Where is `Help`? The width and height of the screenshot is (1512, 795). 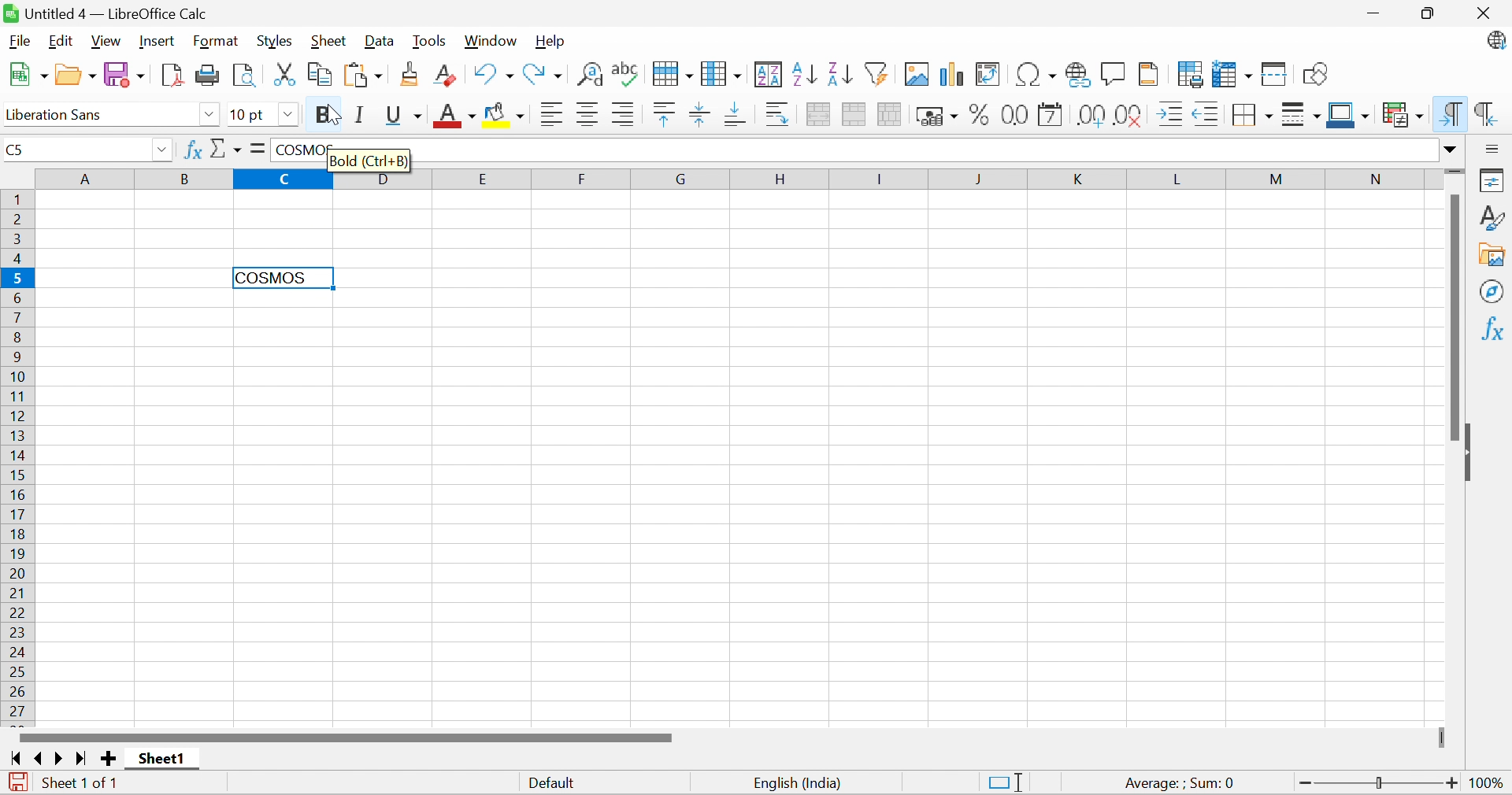
Help is located at coordinates (554, 42).